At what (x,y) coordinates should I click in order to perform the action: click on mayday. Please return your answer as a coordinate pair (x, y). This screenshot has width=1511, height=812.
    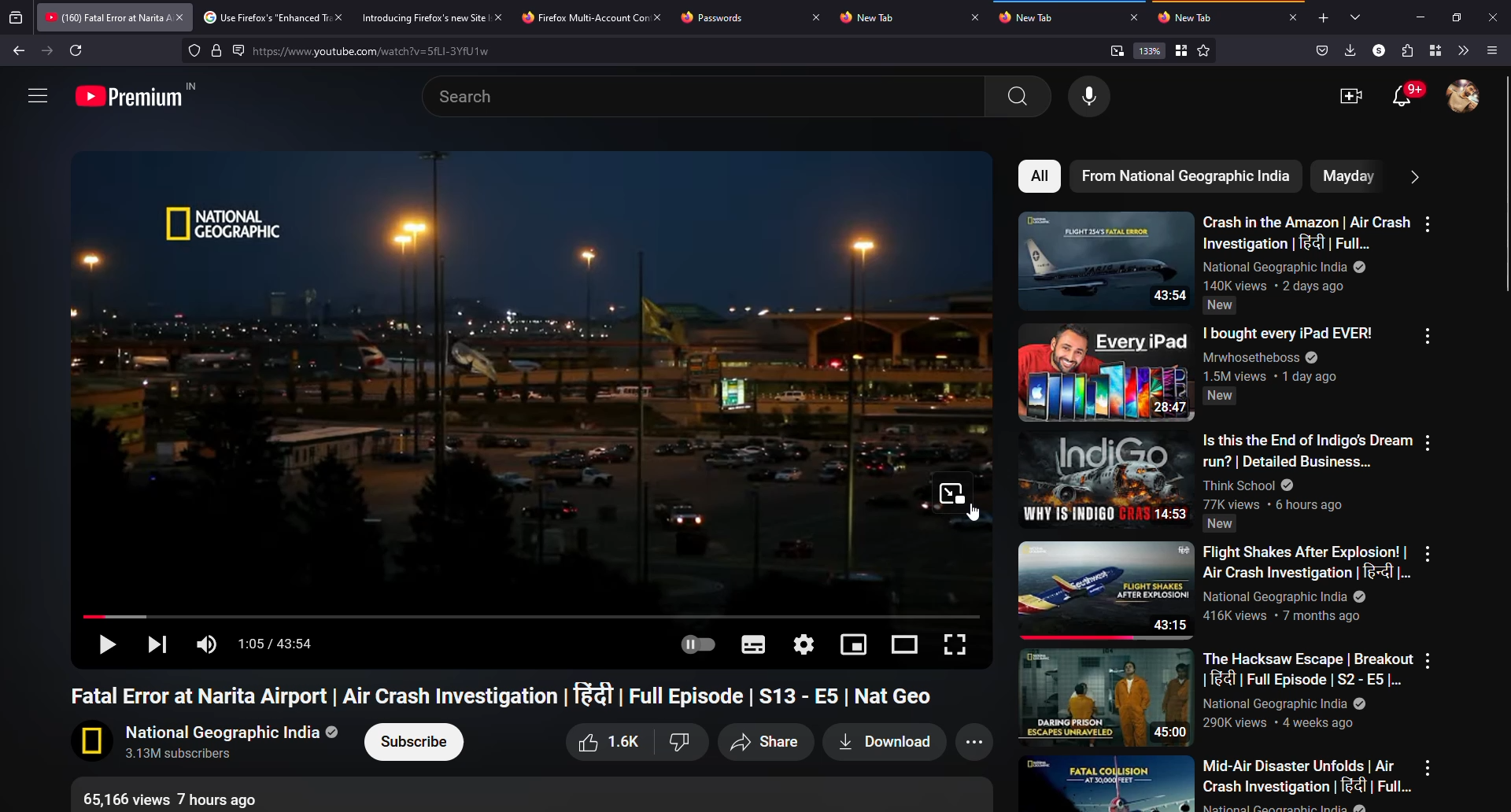
    Looking at the image, I should click on (1346, 175).